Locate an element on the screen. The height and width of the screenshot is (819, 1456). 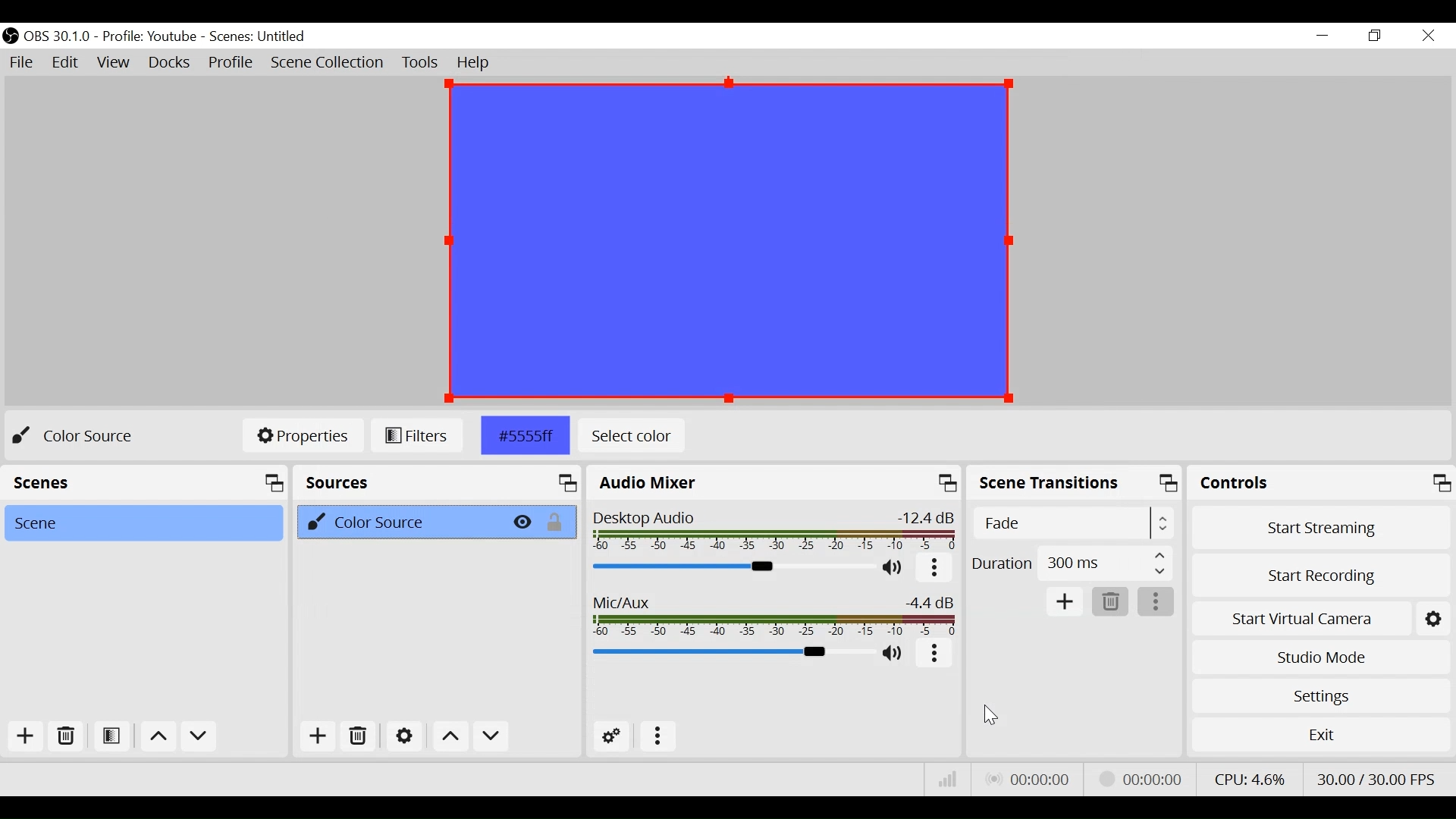
Move down is located at coordinates (491, 737).